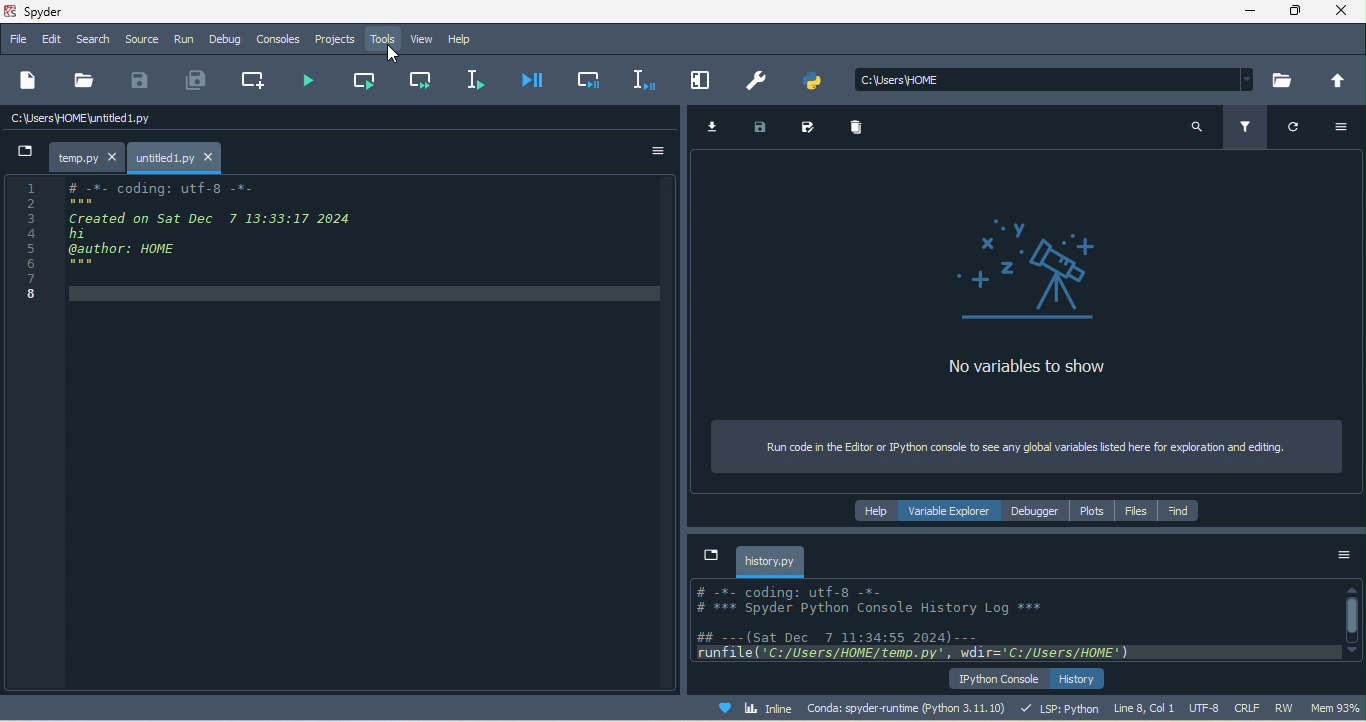  I want to click on option, so click(654, 151).